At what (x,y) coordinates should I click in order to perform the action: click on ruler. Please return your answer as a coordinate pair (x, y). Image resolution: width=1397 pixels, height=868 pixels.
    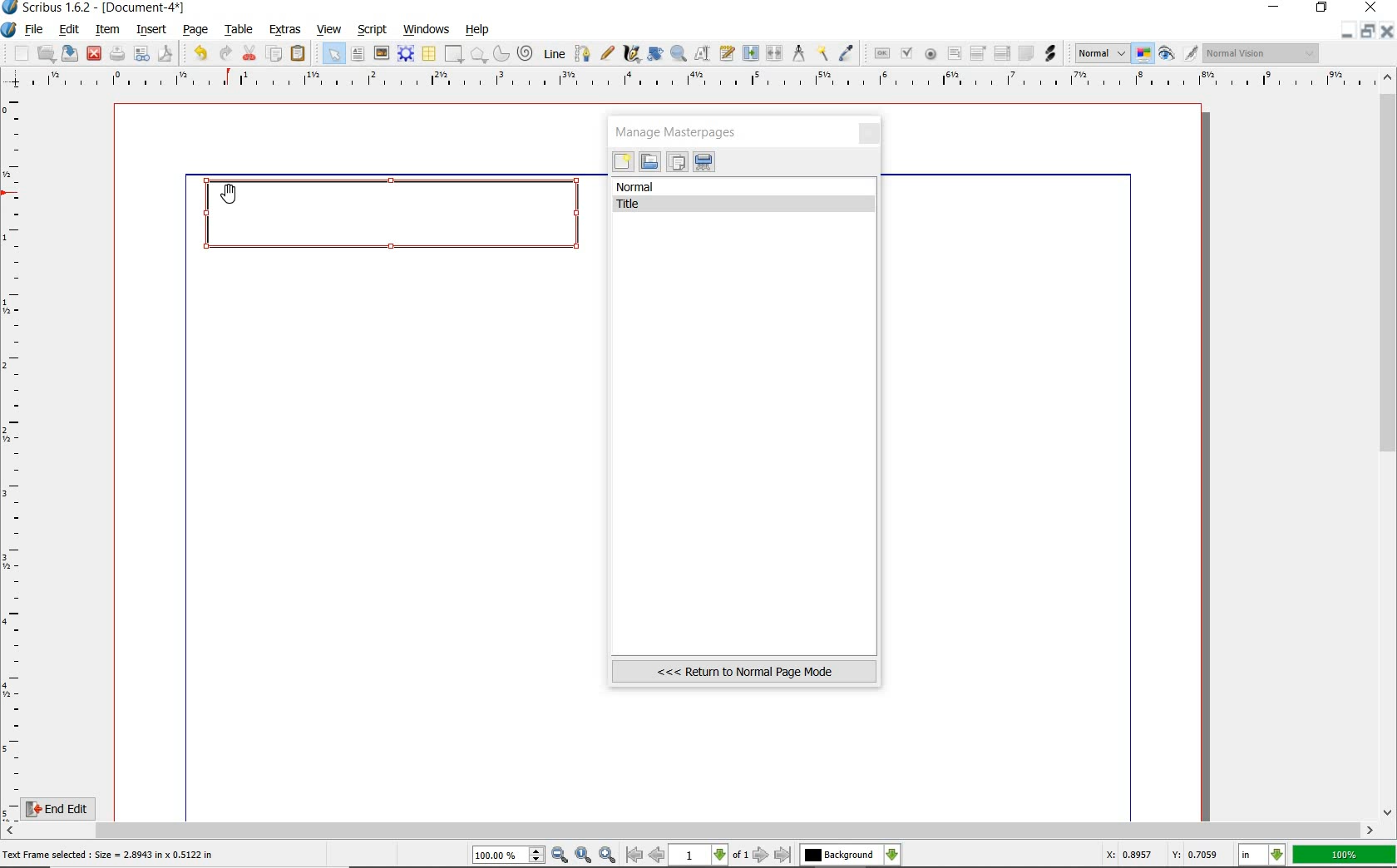
    Looking at the image, I should click on (15, 454).